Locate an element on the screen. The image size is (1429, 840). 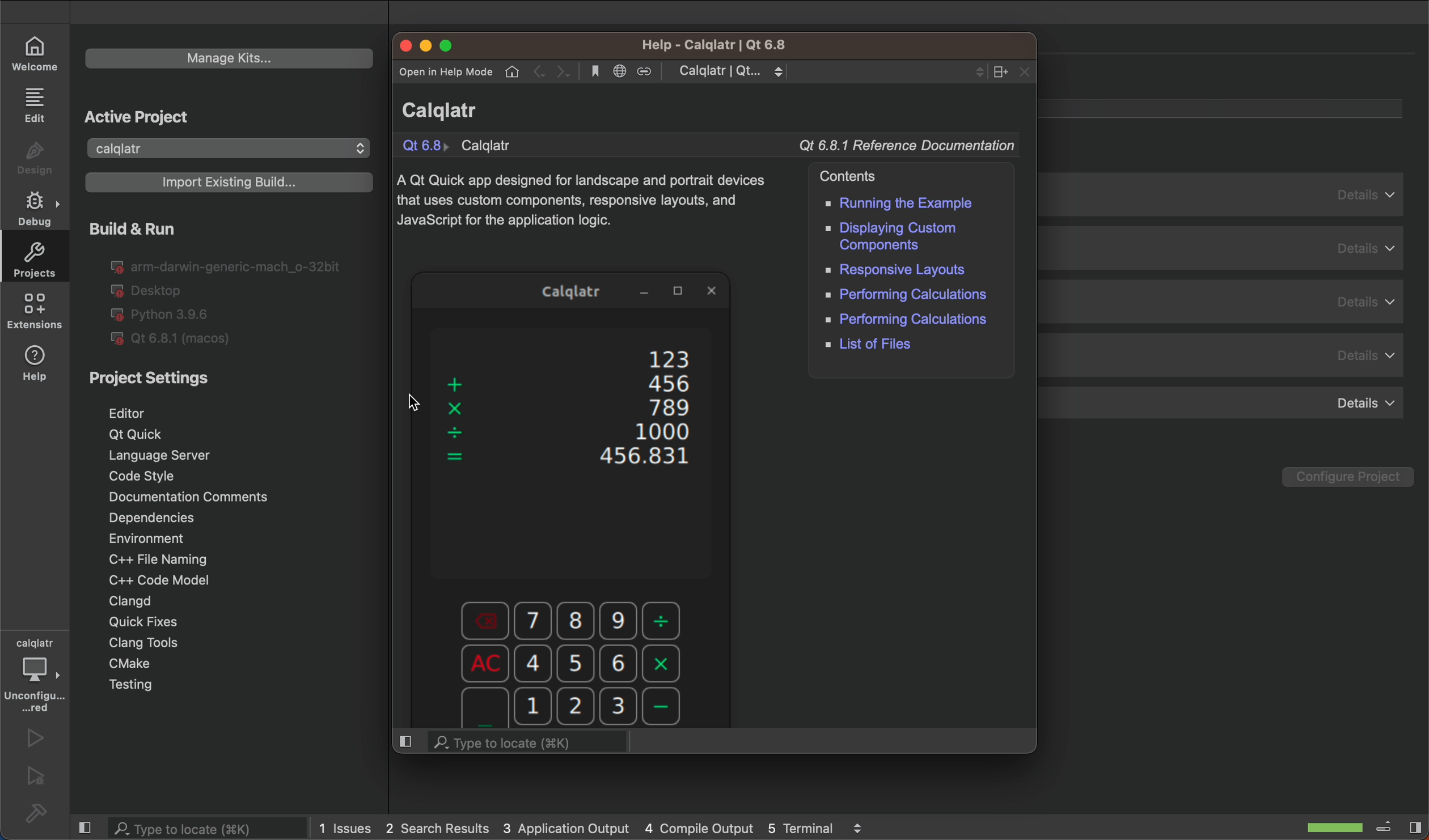
build is located at coordinates (39, 811).